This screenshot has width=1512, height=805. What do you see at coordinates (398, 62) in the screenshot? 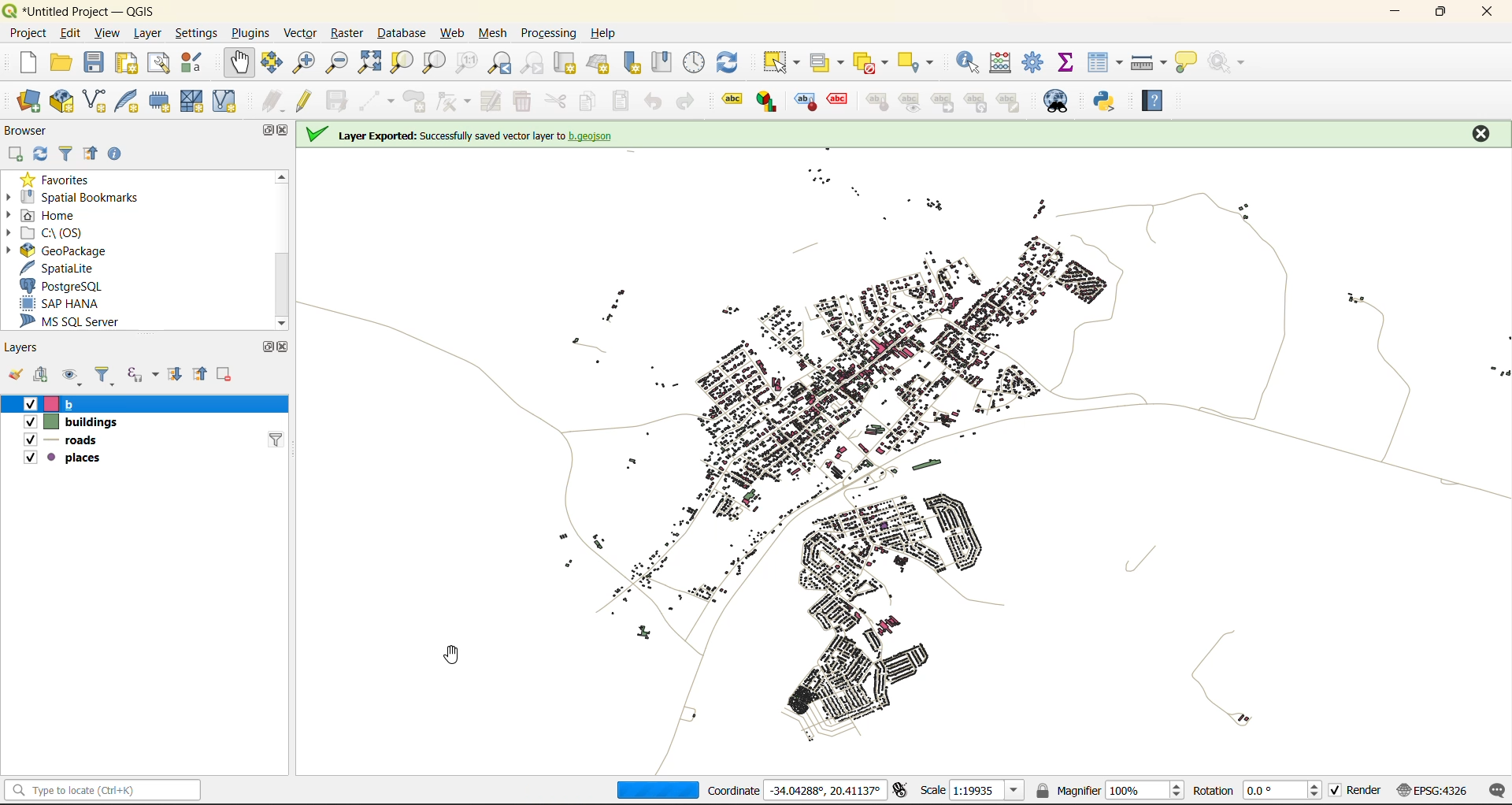
I see `zoom selection` at bounding box center [398, 62].